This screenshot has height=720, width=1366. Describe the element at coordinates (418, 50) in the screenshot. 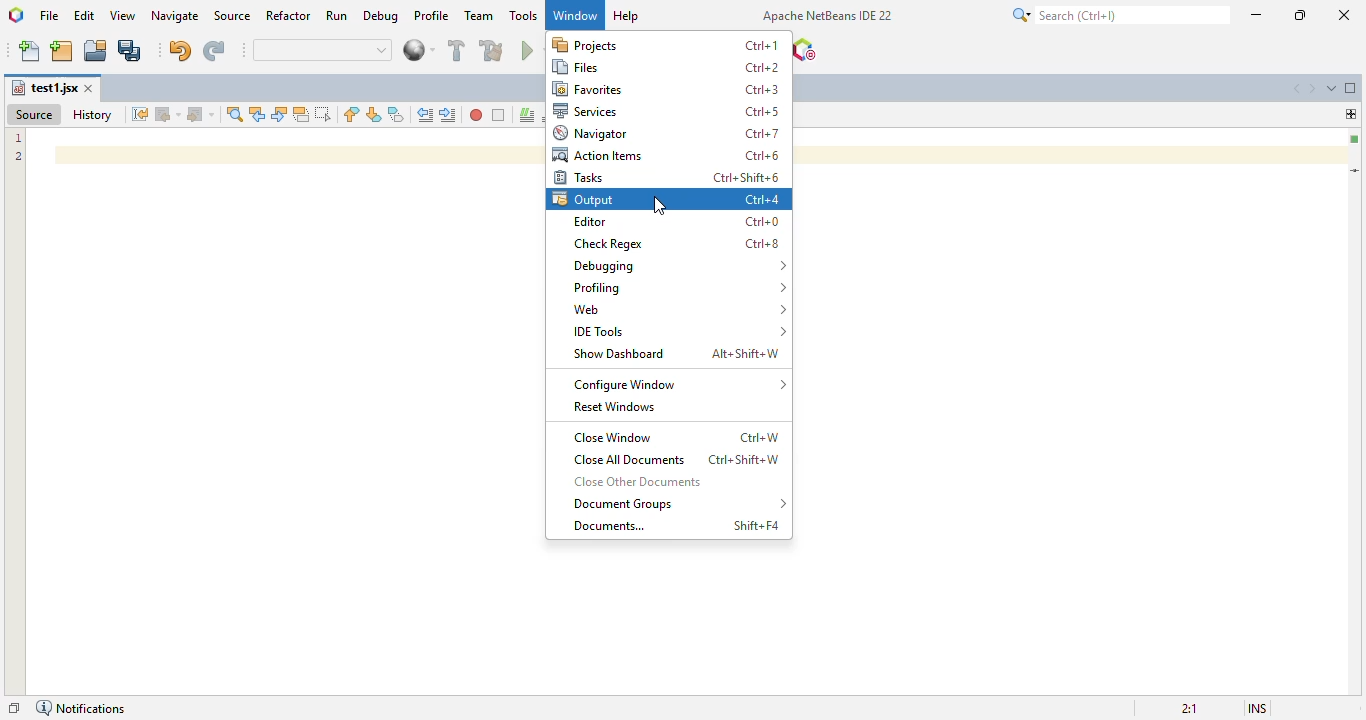

I see `web browser` at that location.